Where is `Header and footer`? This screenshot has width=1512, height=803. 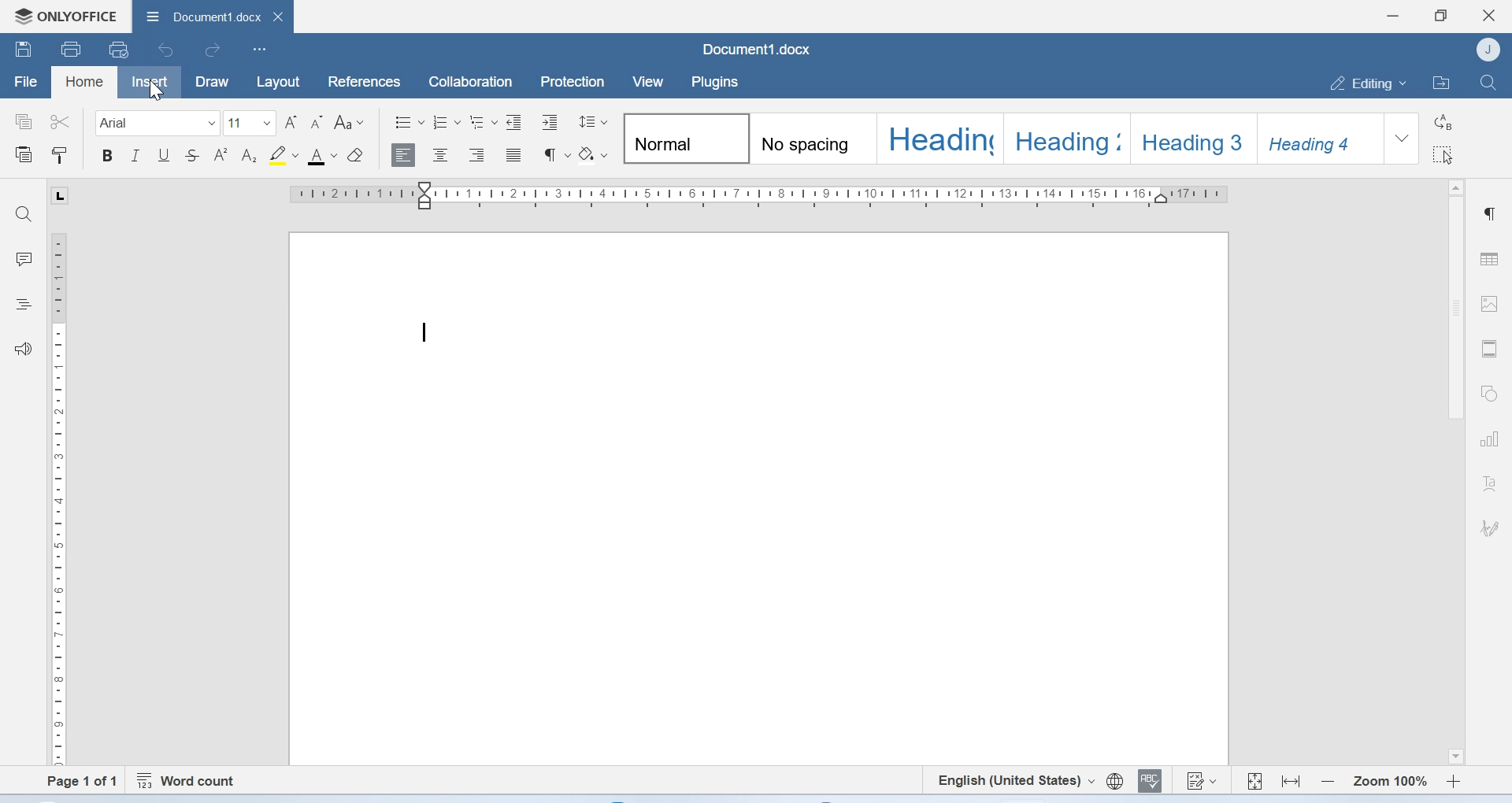
Header and footer is located at coordinates (1488, 349).